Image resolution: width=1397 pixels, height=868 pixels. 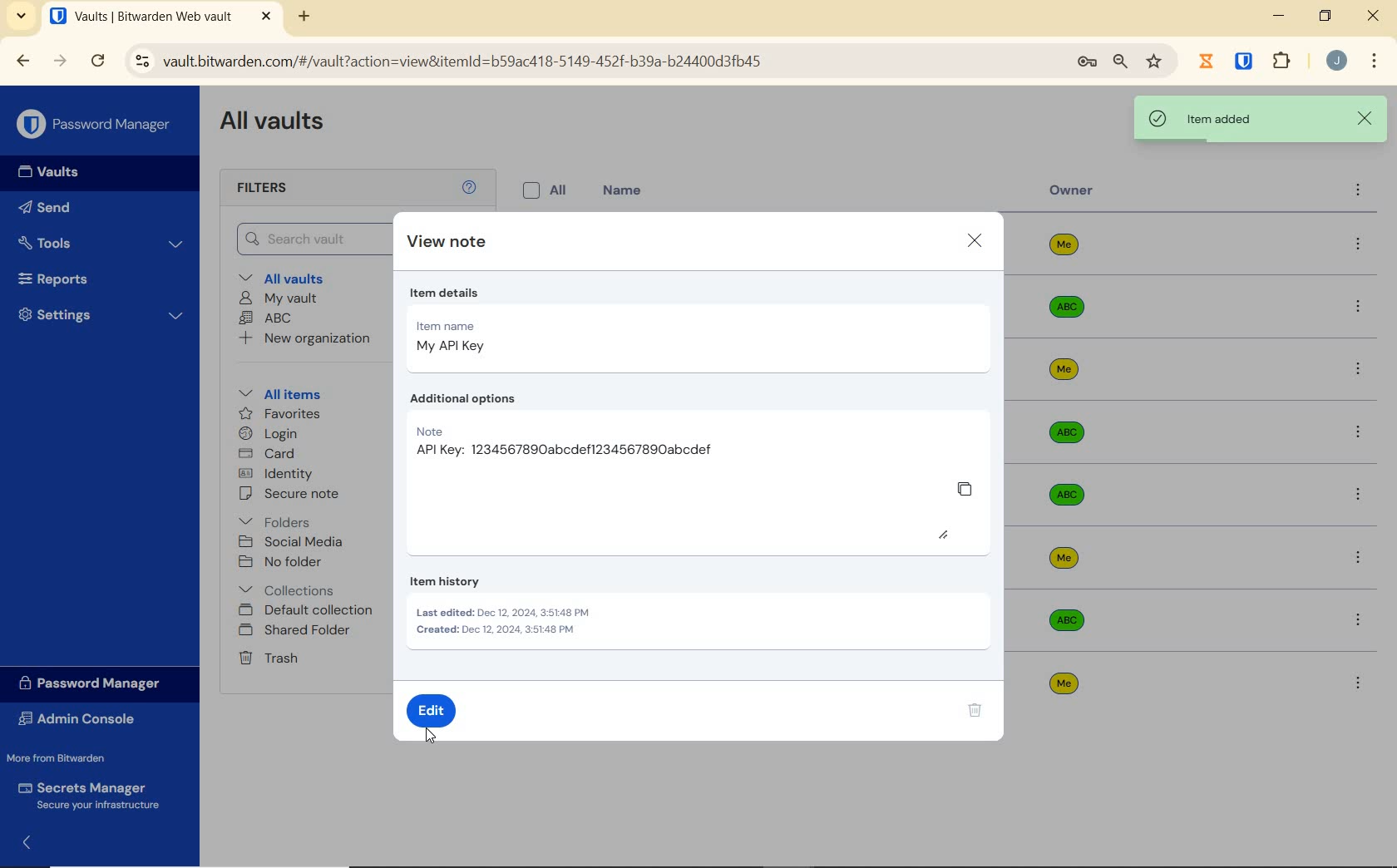 I want to click on close, so click(x=976, y=239).